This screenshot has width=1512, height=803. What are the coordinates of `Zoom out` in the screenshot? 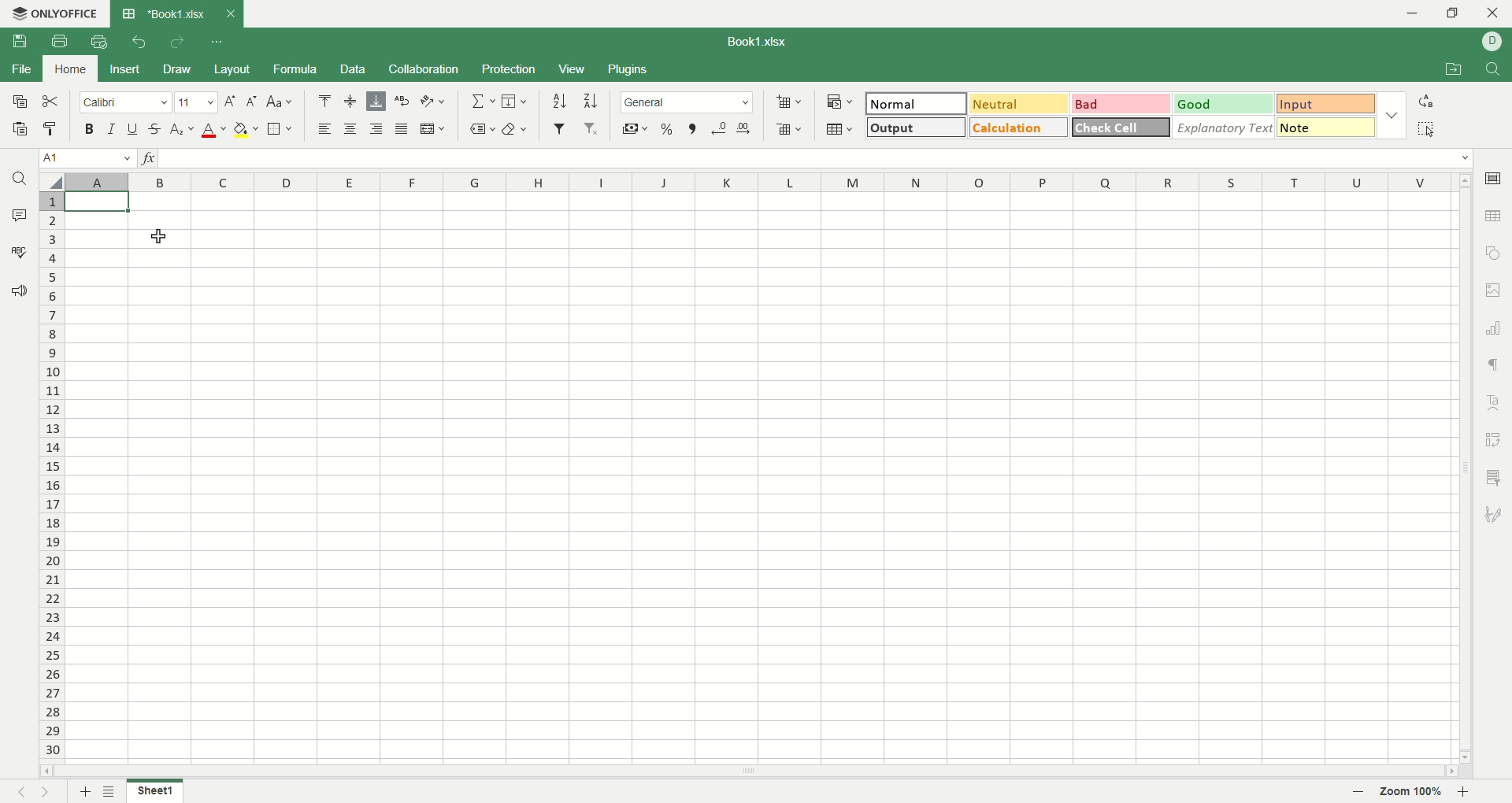 It's located at (1359, 793).